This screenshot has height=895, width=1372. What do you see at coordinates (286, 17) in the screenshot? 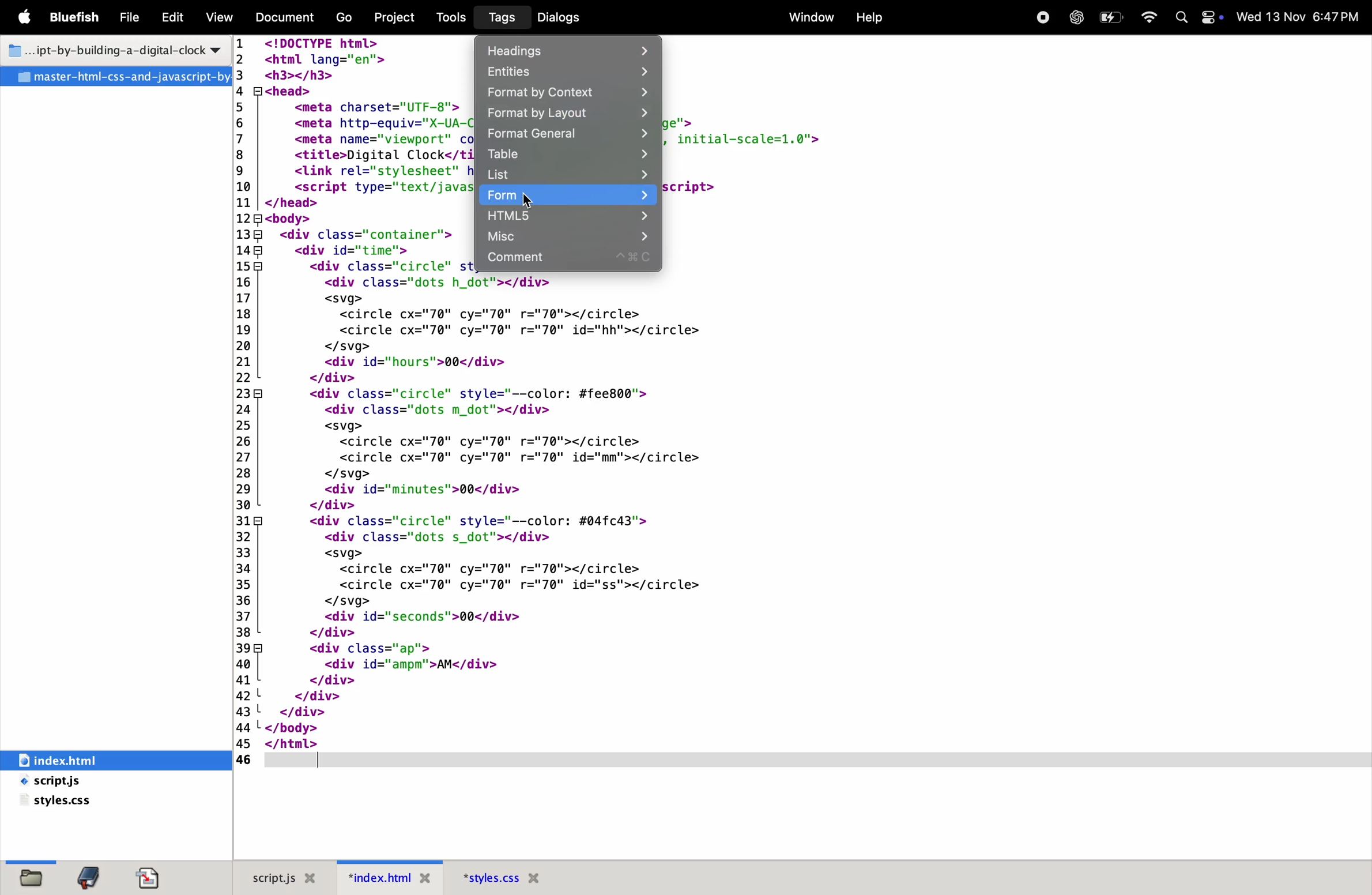
I see `Document` at bounding box center [286, 17].